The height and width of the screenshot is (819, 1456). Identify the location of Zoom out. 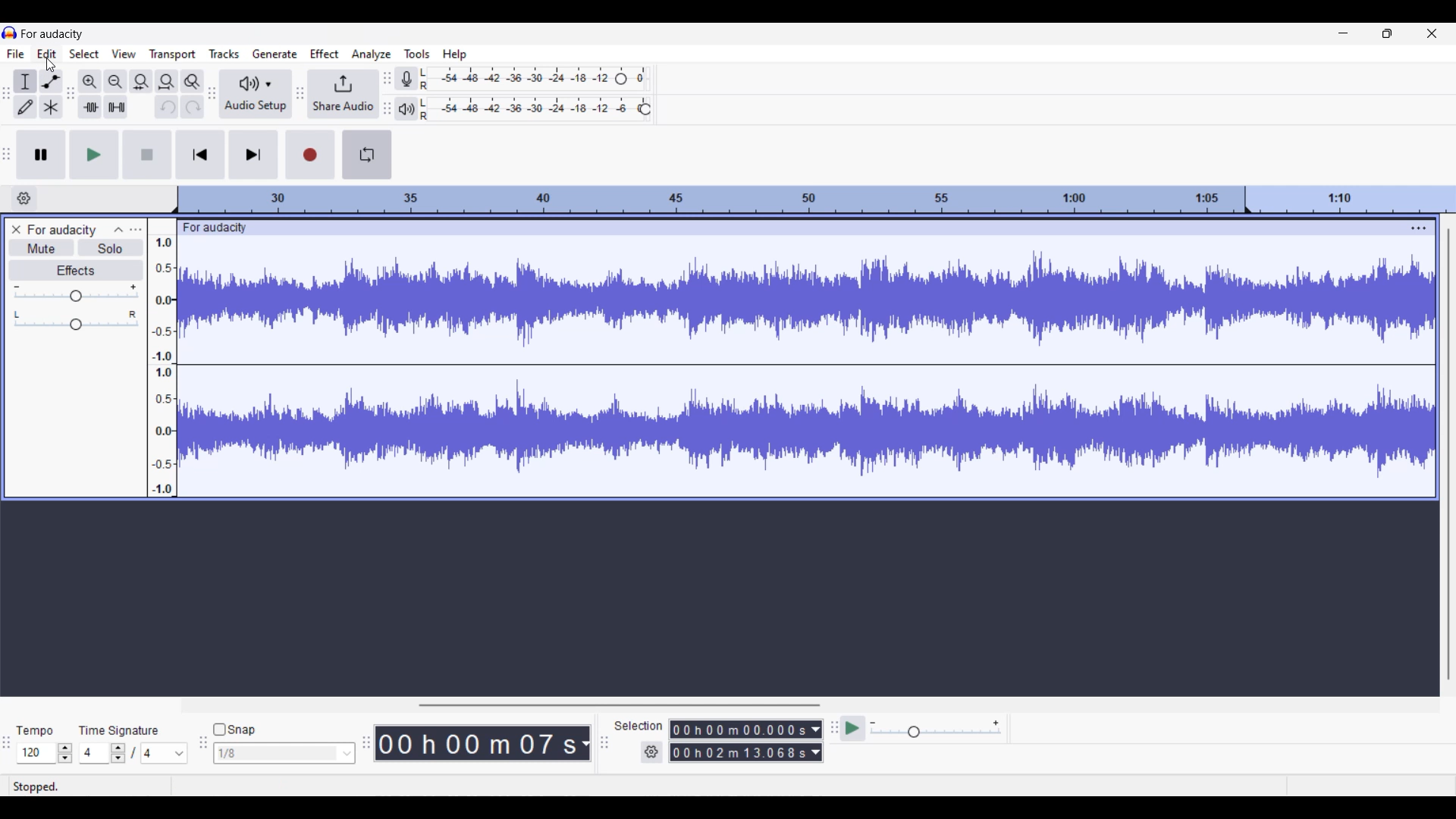
(116, 82).